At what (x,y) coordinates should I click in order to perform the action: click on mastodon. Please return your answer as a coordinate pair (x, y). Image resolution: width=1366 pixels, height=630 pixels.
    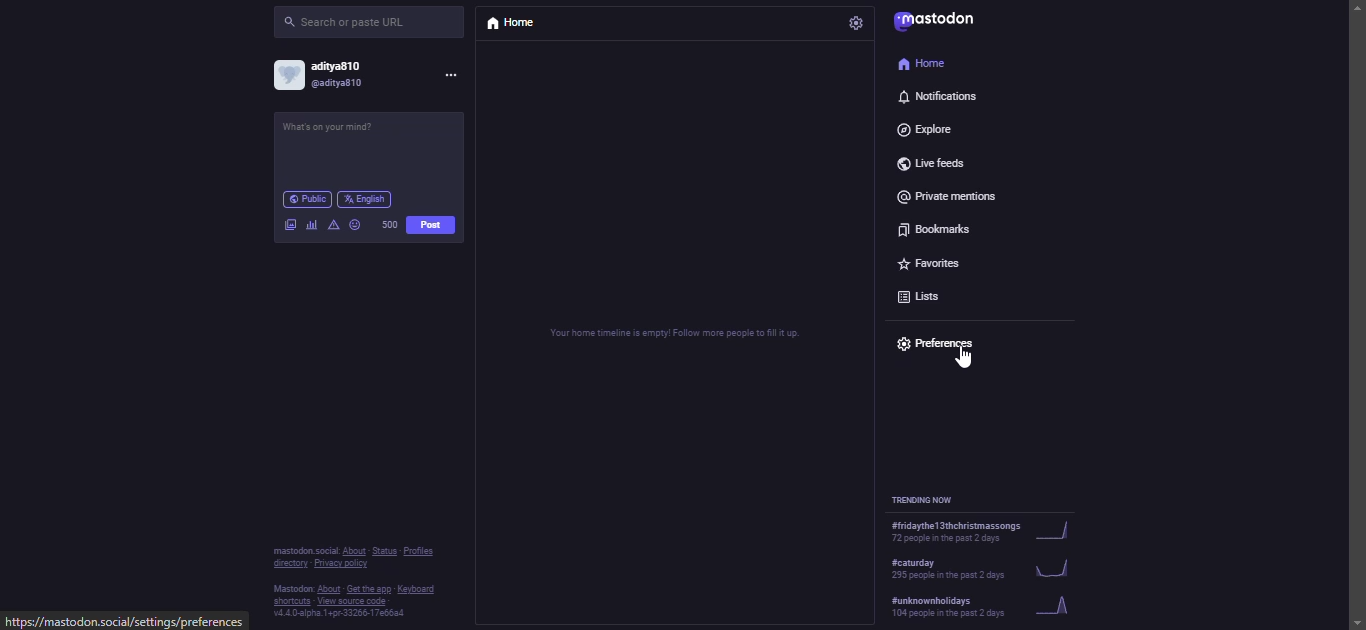
    Looking at the image, I should click on (939, 21).